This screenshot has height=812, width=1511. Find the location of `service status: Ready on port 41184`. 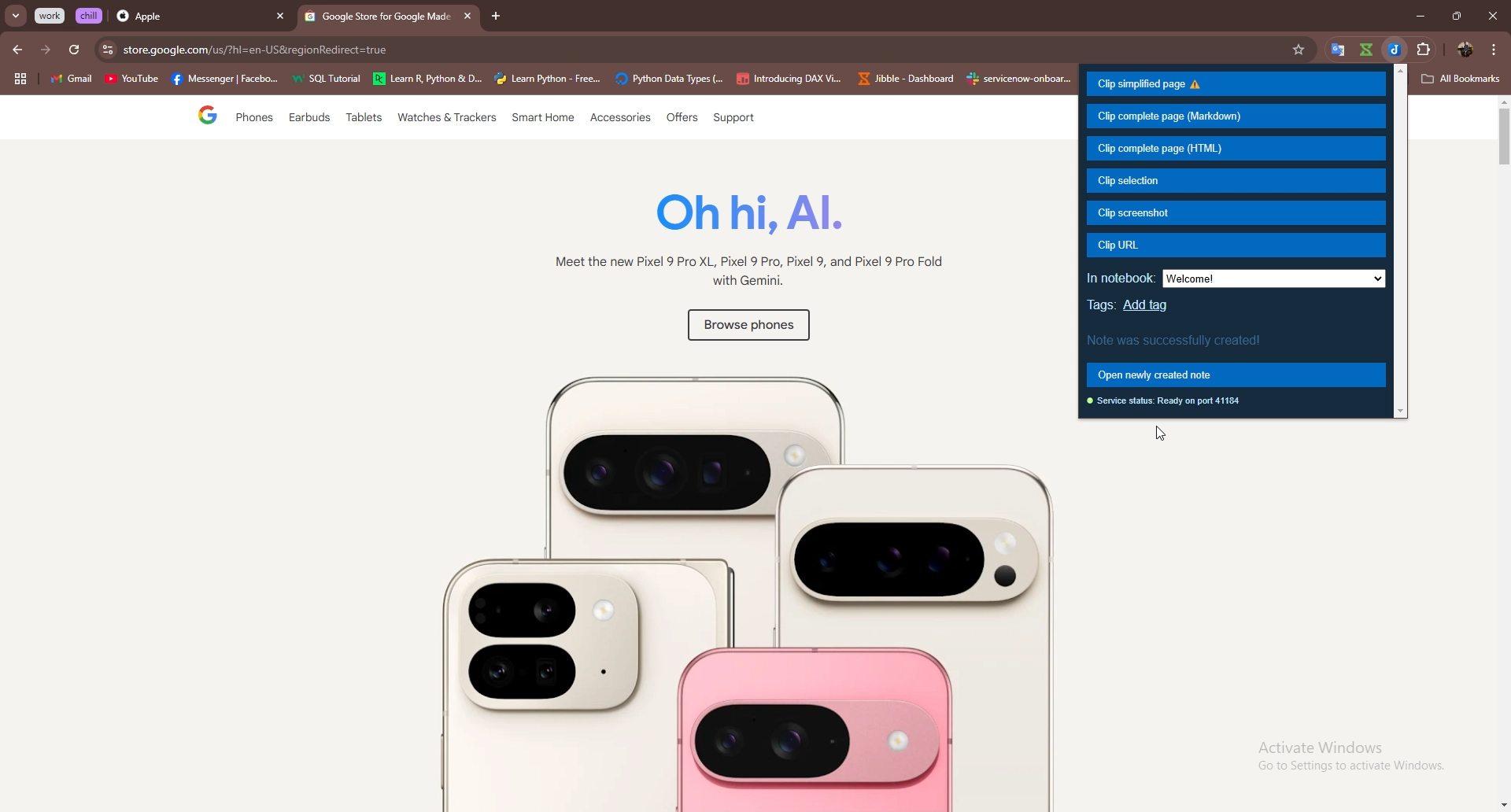

service status: Ready on port 41184 is located at coordinates (1168, 403).